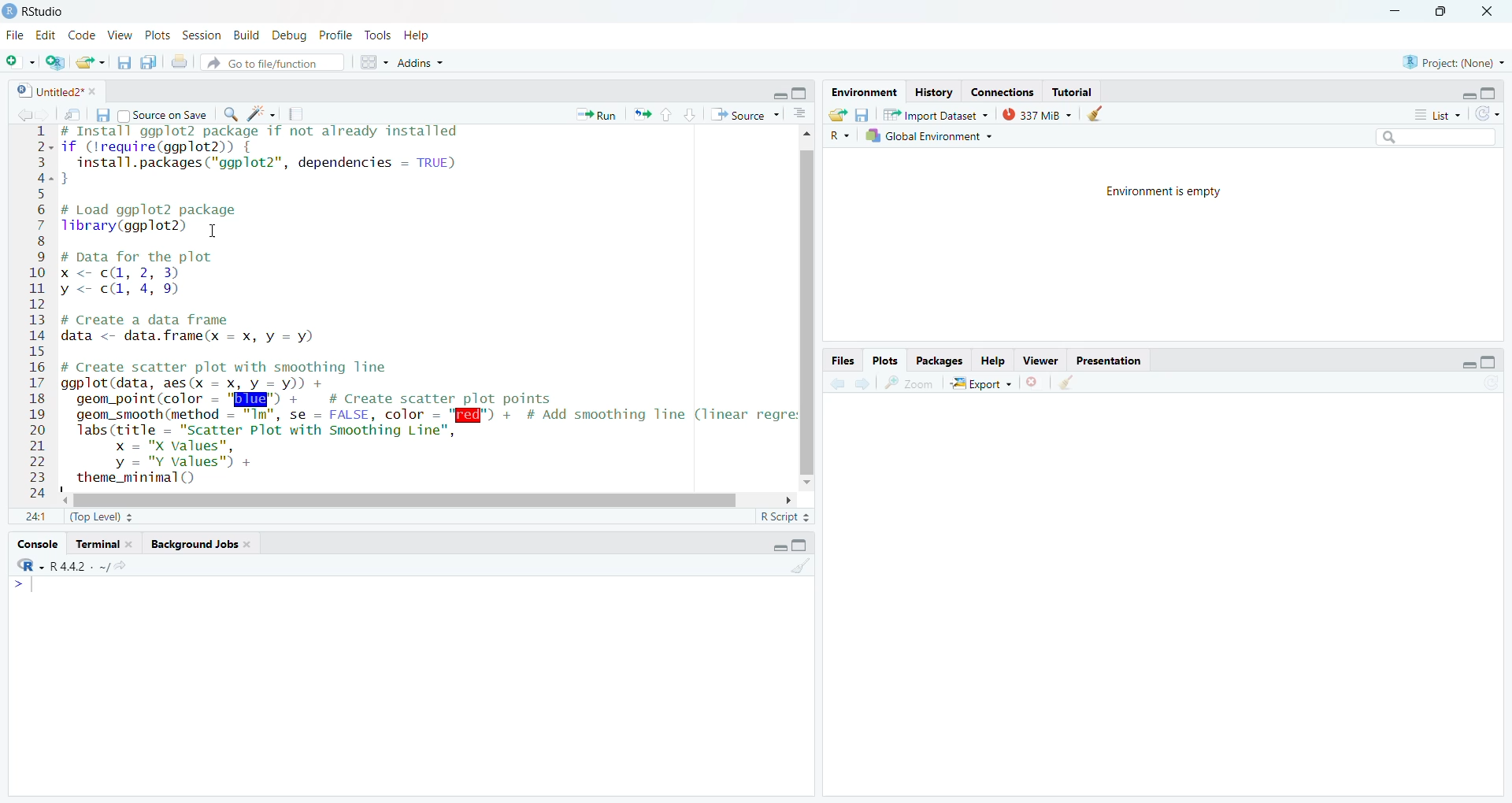  I want to click on code tools, so click(261, 113).